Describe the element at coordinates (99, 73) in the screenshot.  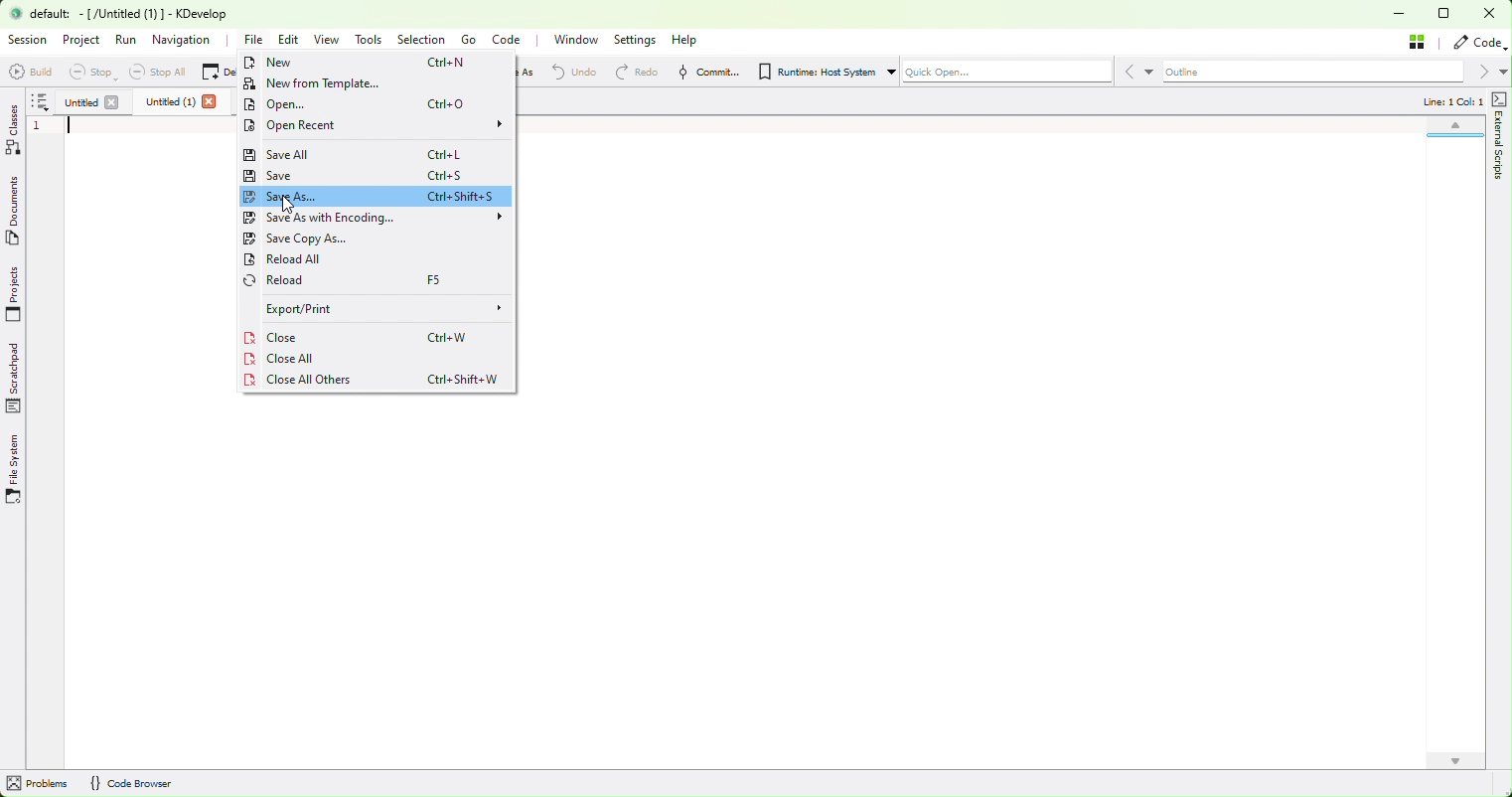
I see `Stop` at that location.